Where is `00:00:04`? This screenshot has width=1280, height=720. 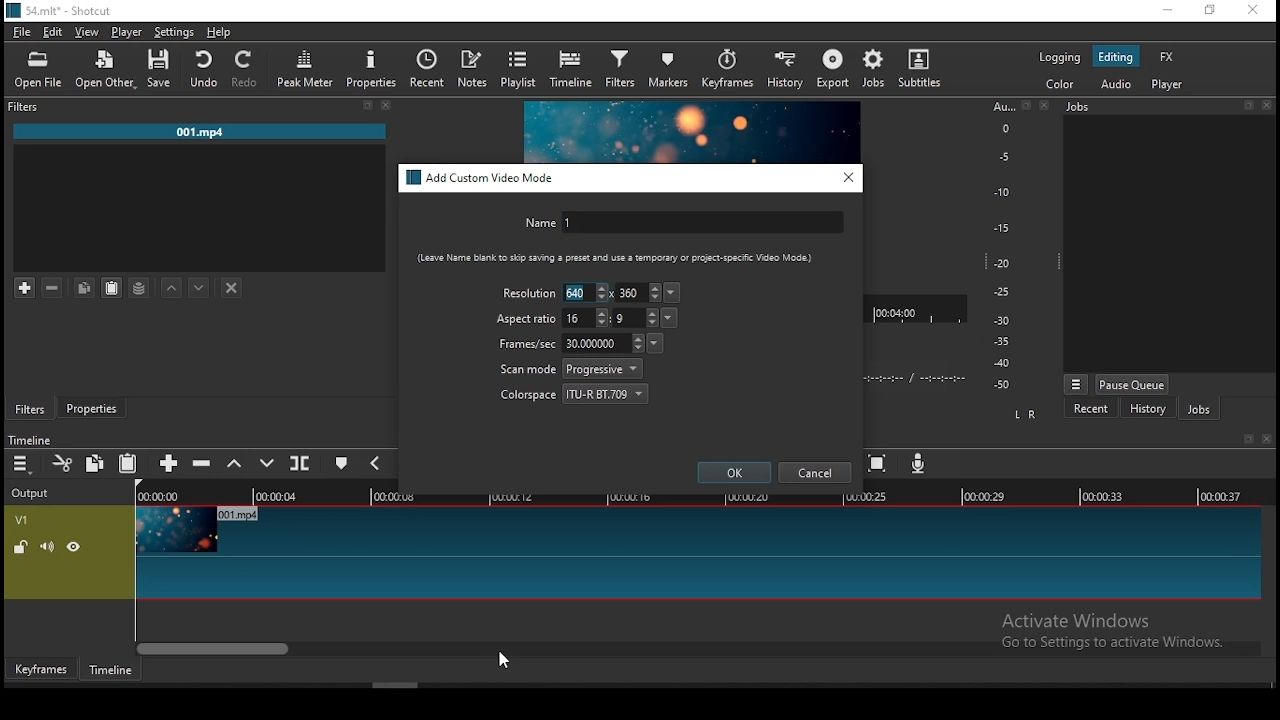 00:00:04 is located at coordinates (279, 496).